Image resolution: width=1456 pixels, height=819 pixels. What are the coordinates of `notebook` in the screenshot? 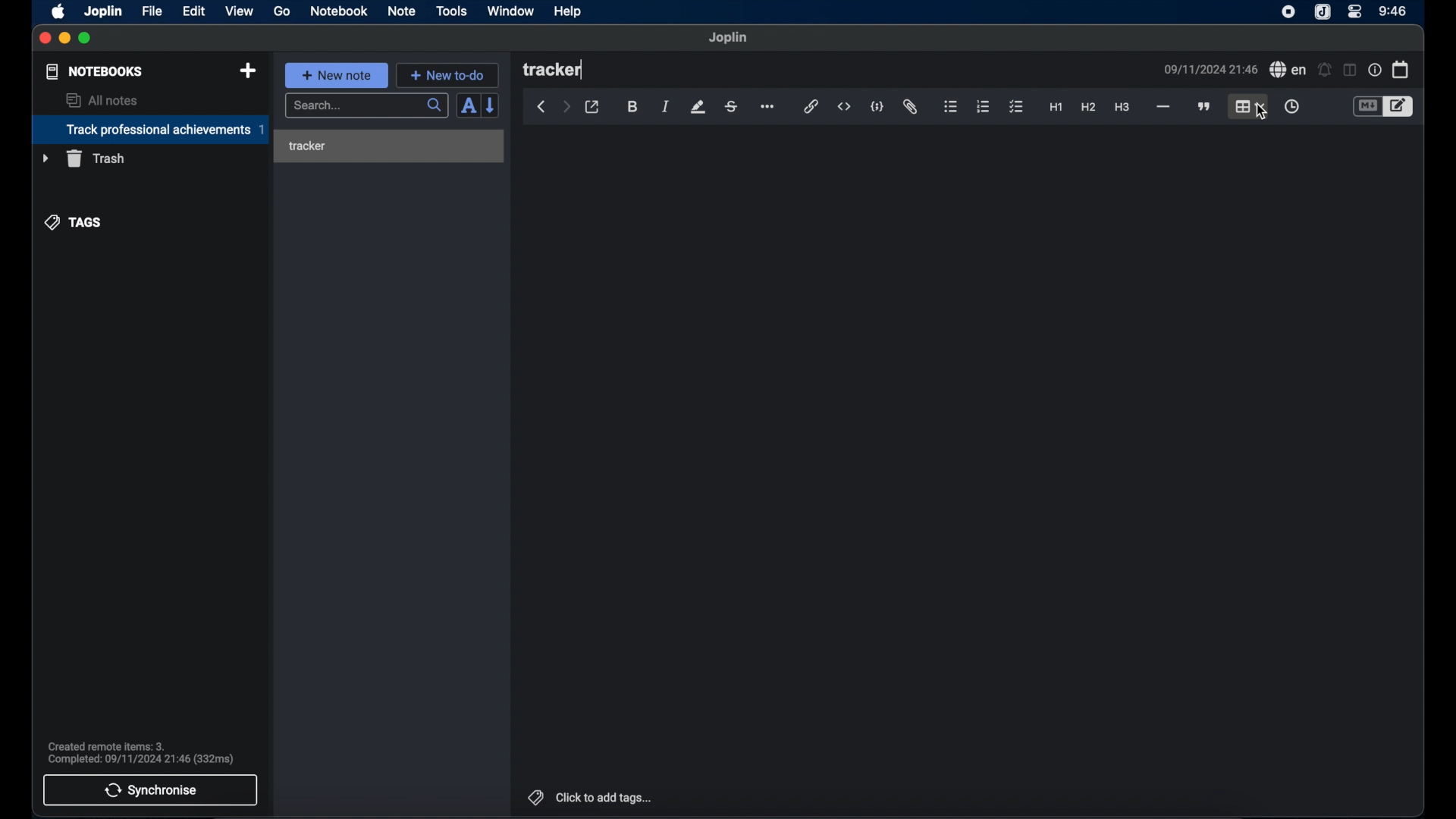 It's located at (339, 11).